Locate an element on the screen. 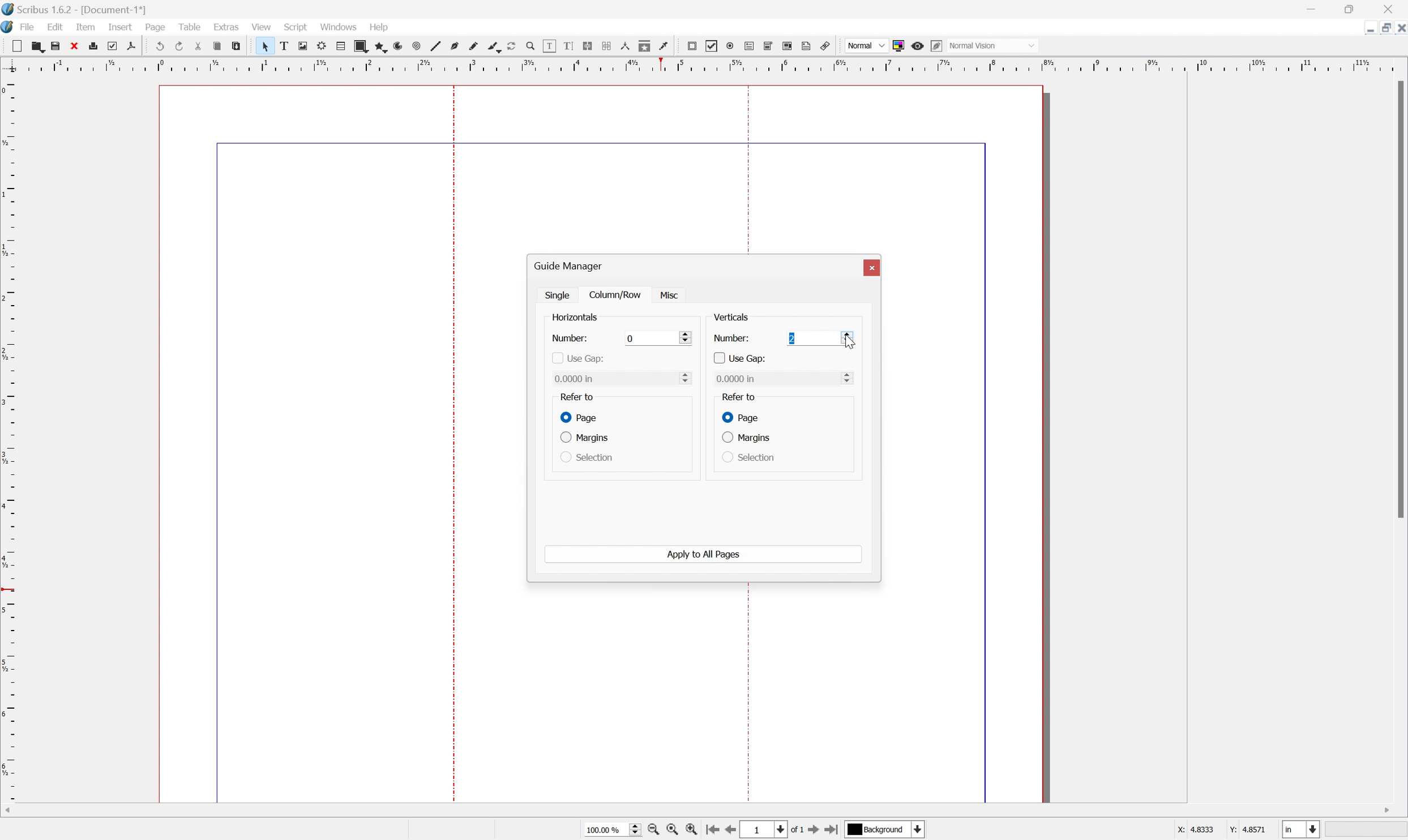 This screenshot has width=1408, height=840.  is located at coordinates (751, 46).